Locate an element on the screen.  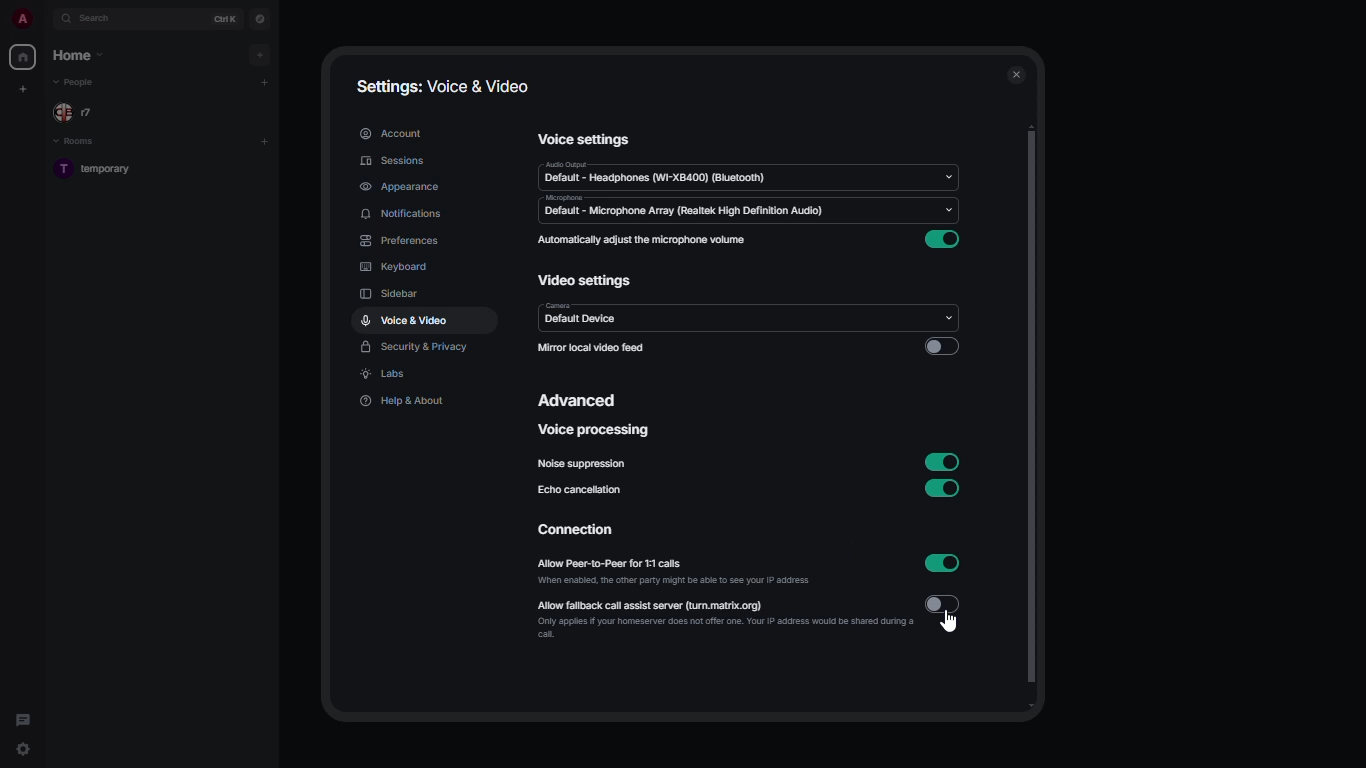
enabled is located at coordinates (942, 461).